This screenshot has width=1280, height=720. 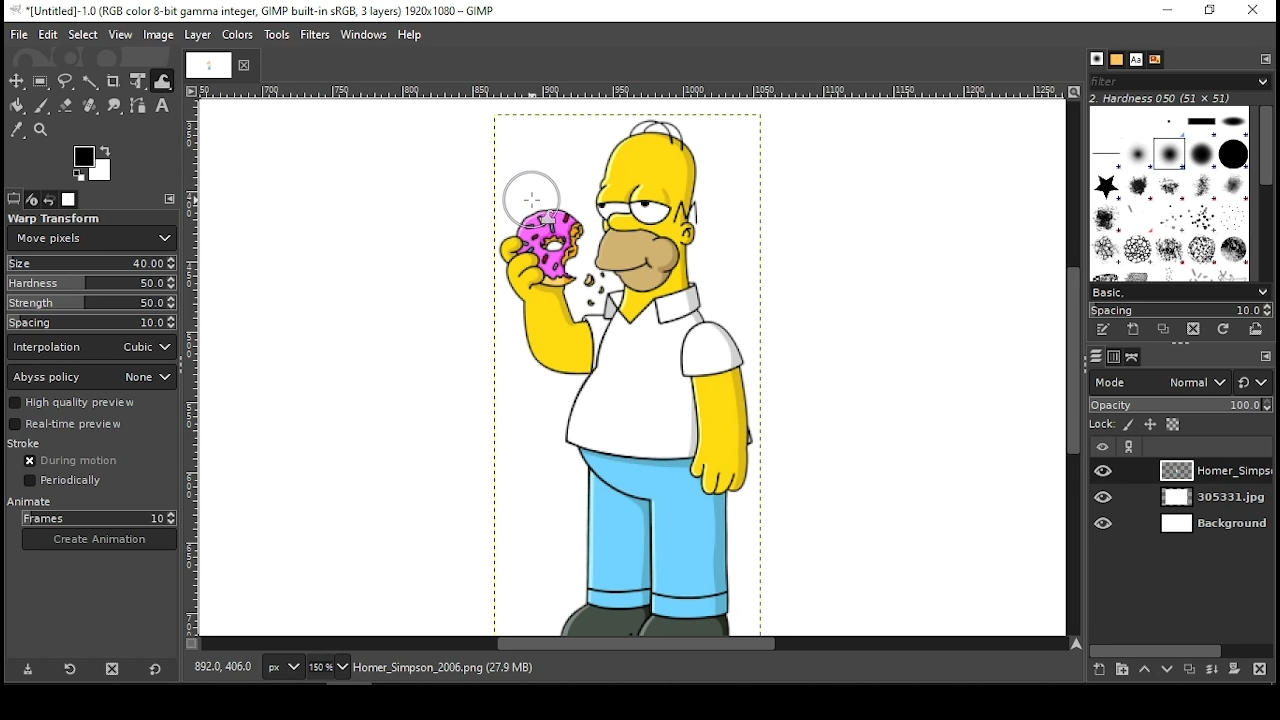 I want to click on icon and filename, so click(x=257, y=10).